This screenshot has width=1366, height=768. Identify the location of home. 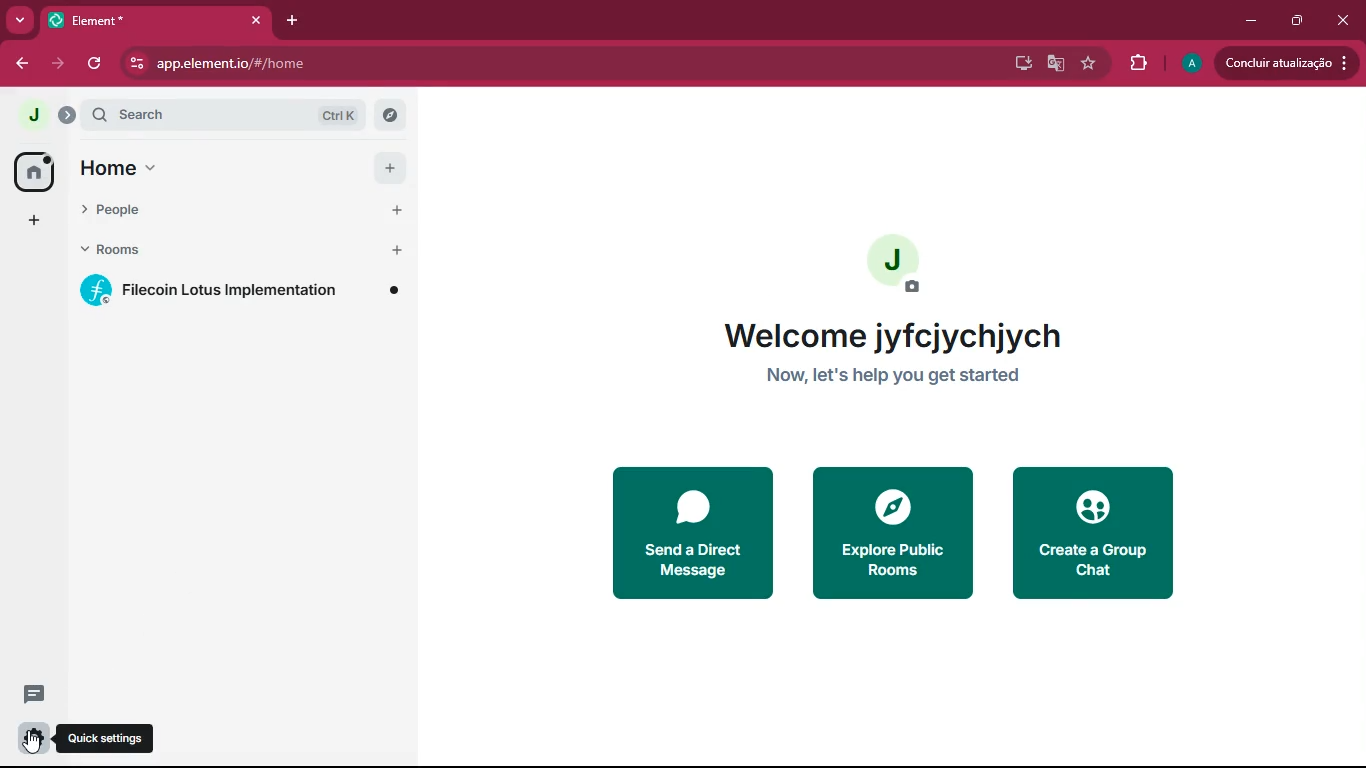
(34, 172).